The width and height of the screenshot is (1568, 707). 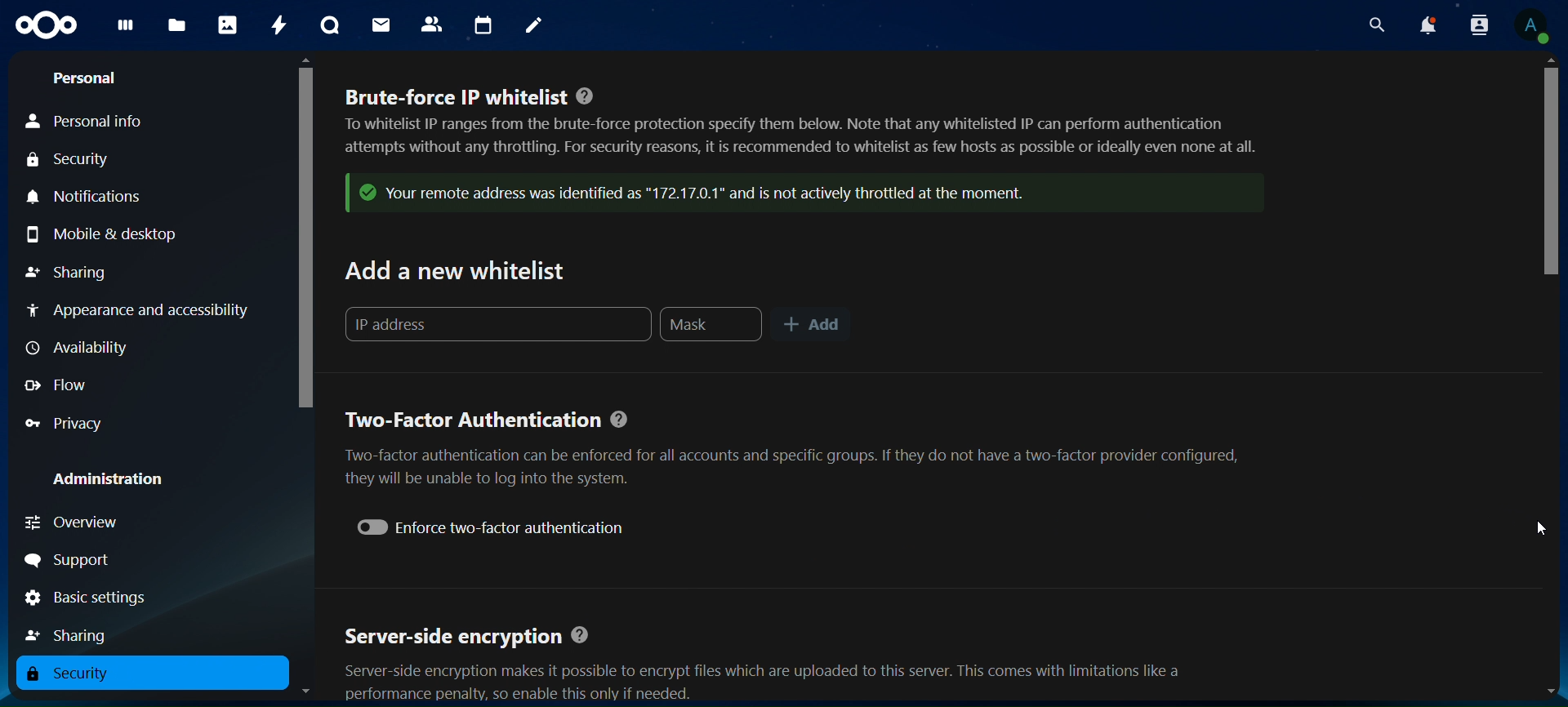 I want to click on verview, so click(x=79, y=522).